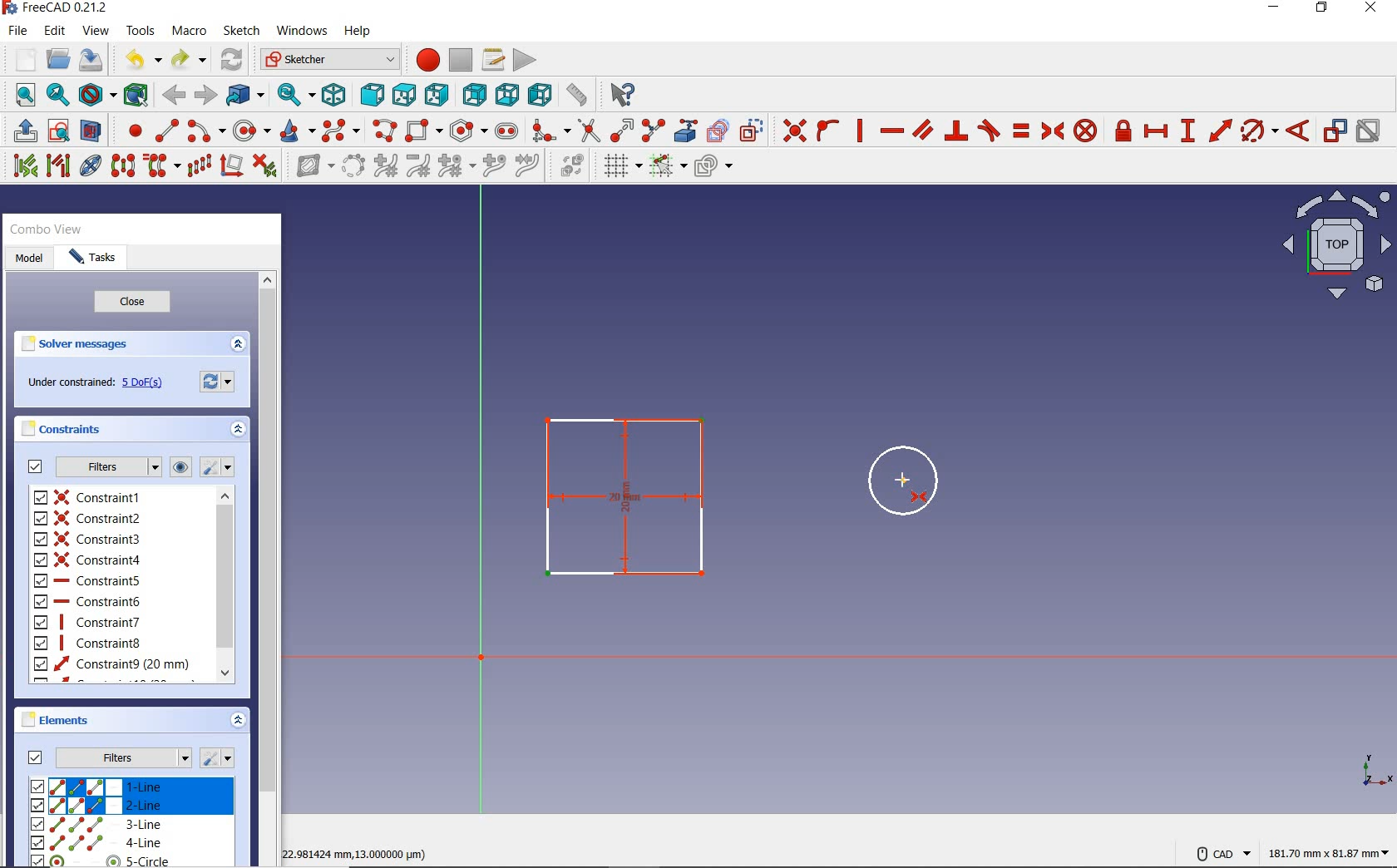 The height and width of the screenshot is (868, 1397). I want to click on rectangular array, so click(200, 167).